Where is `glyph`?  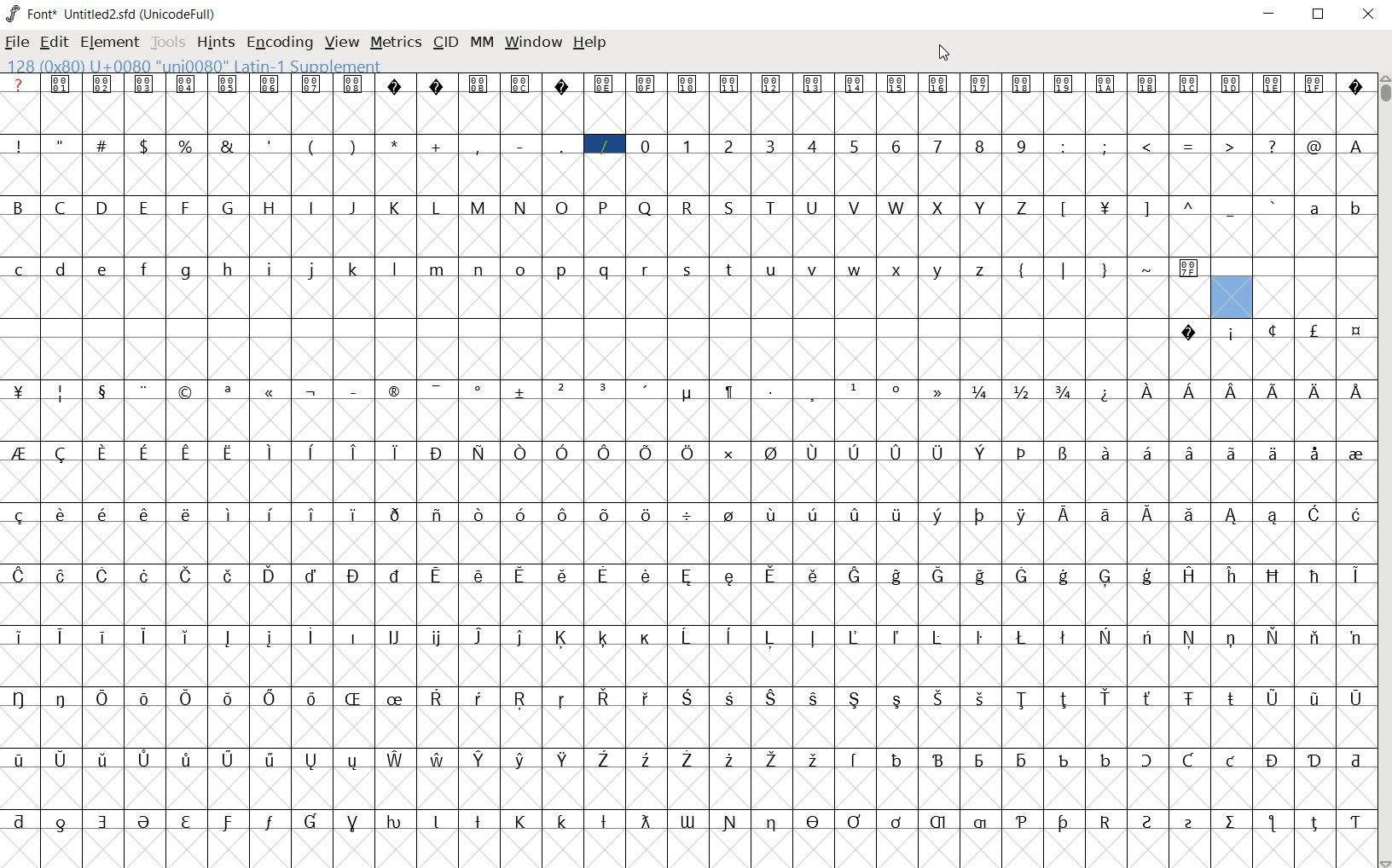 glyph is located at coordinates (645, 84).